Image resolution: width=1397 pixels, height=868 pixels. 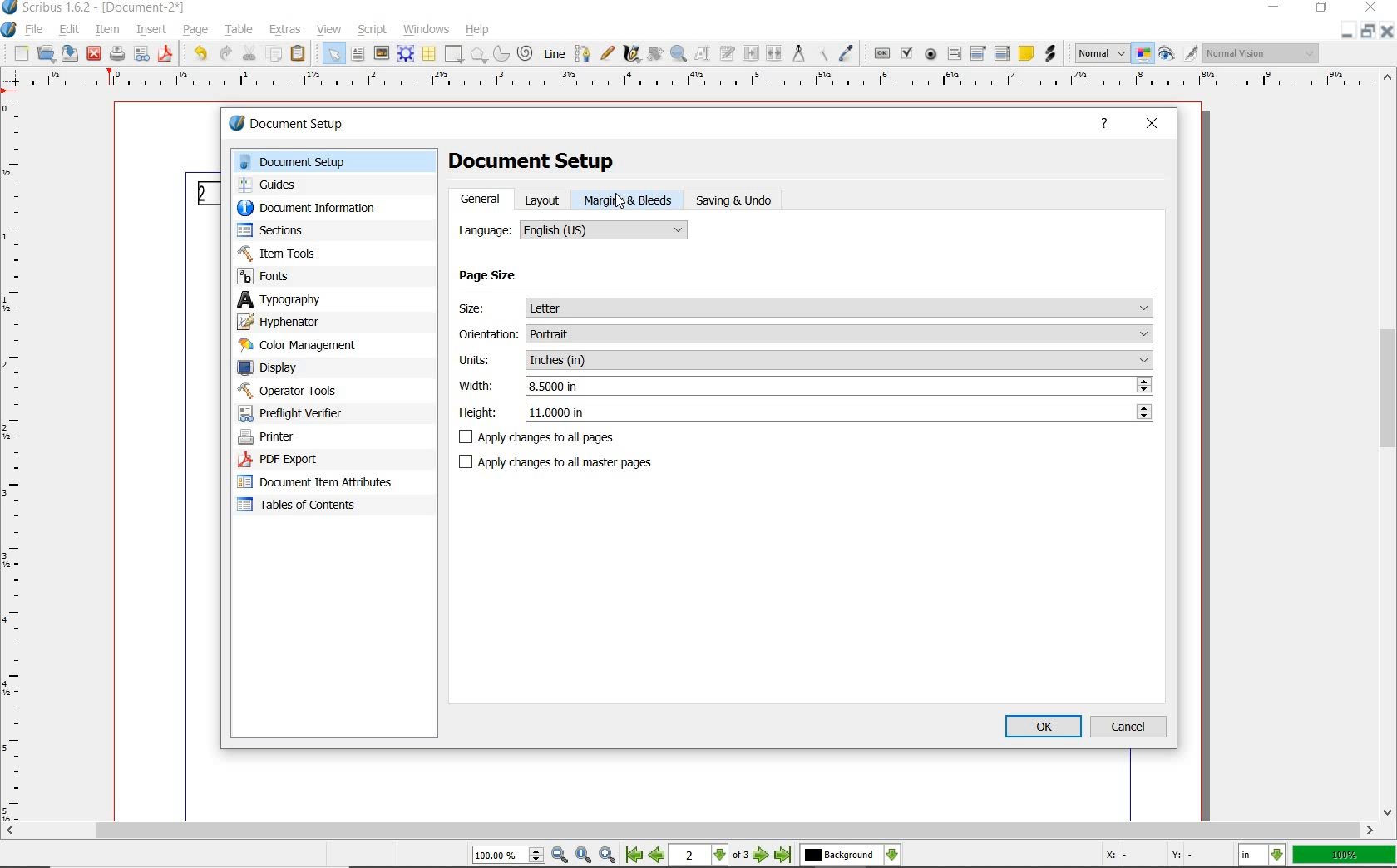 I want to click on insert, so click(x=151, y=30).